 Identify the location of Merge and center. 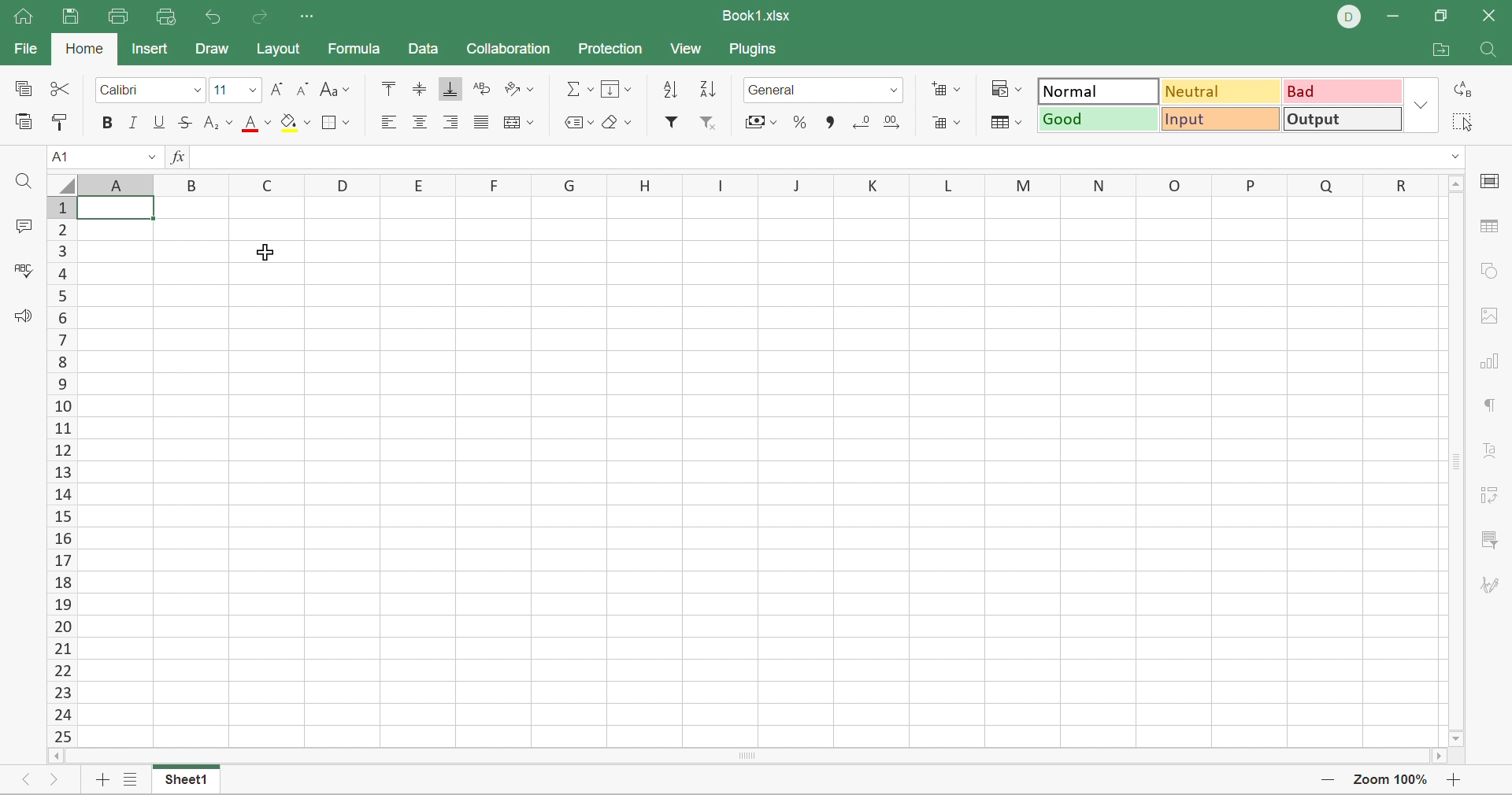
(521, 122).